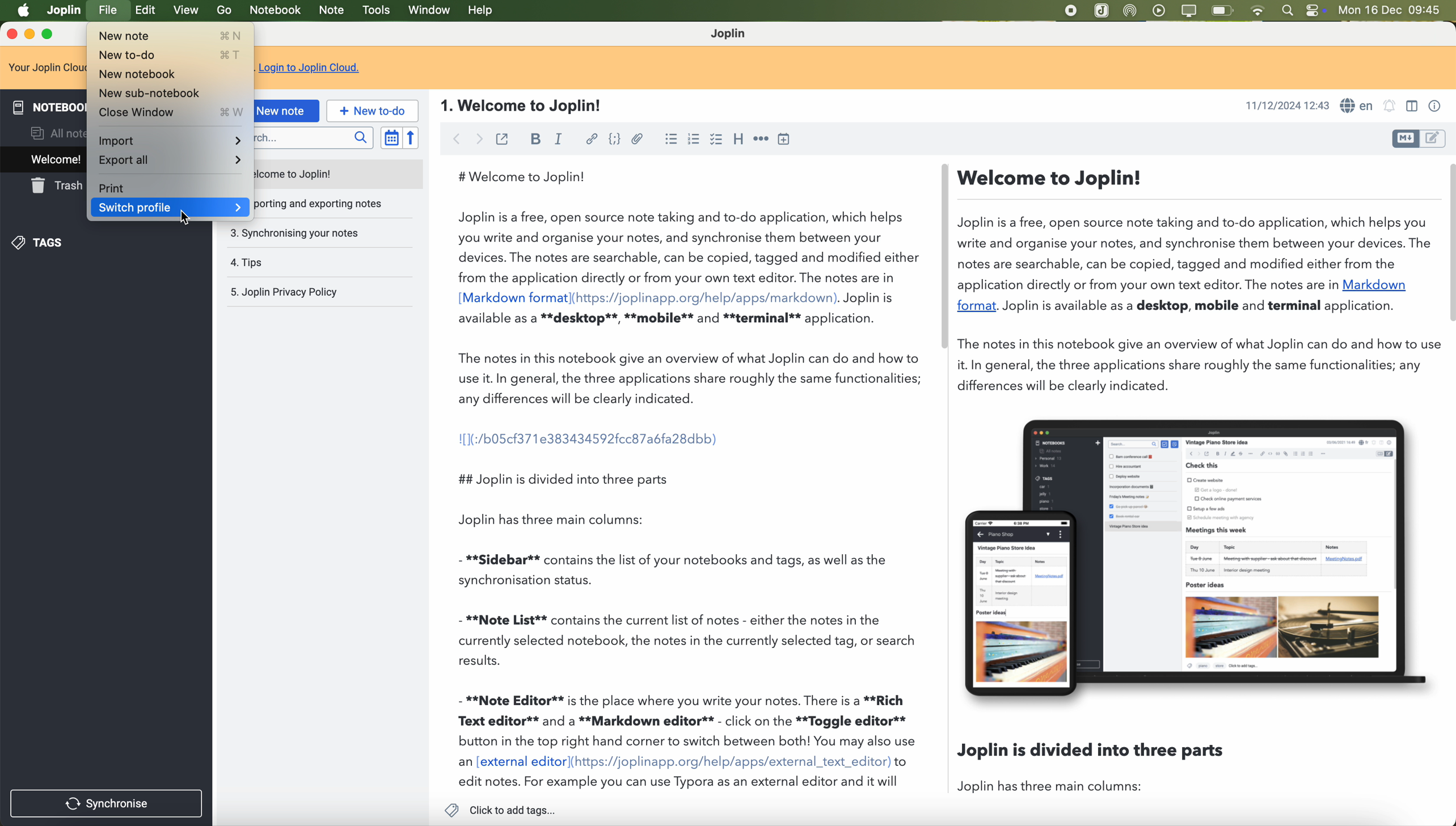  I want to click on I[1(:/b05cf371e383434592fcc87a6fa28dbb), so click(590, 437).